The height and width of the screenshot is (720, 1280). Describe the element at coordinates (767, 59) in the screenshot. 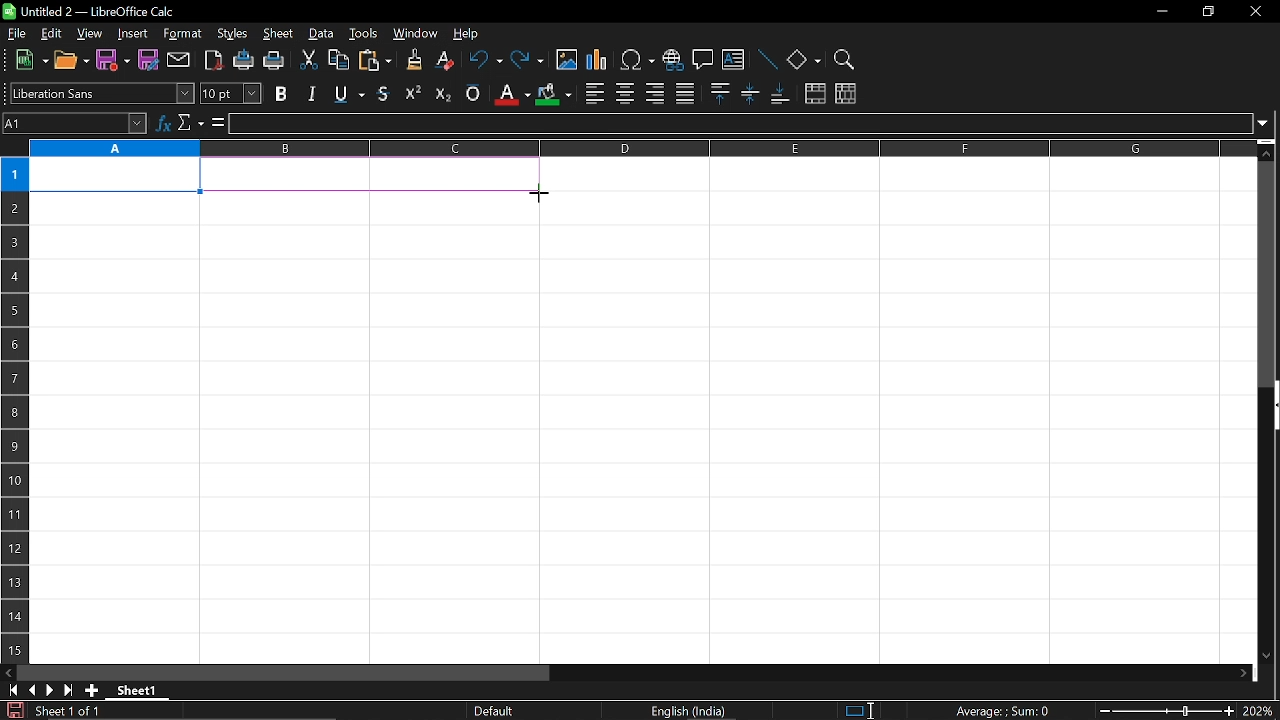

I see `line` at that location.